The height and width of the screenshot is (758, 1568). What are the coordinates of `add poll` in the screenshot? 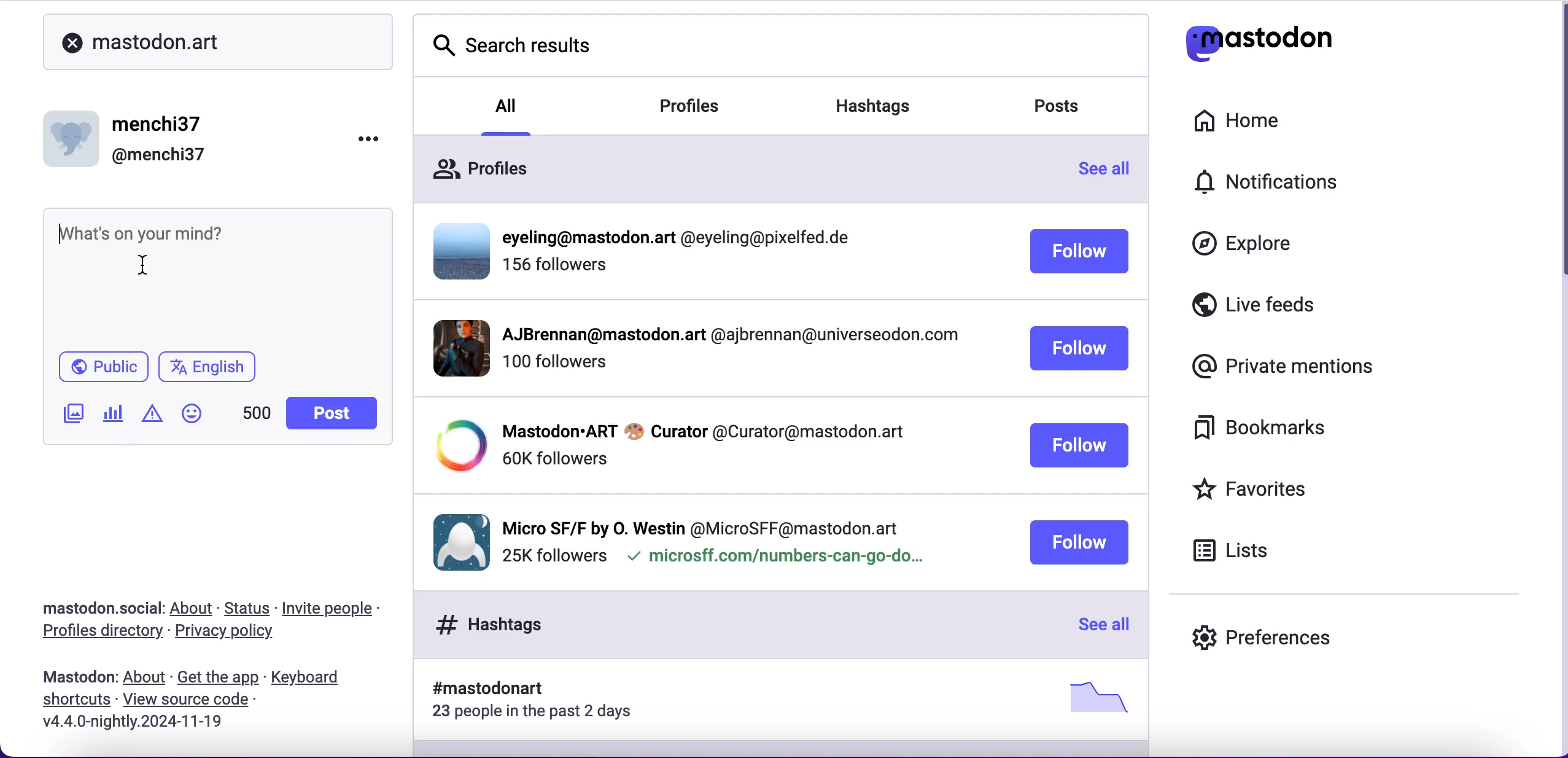 It's located at (114, 415).